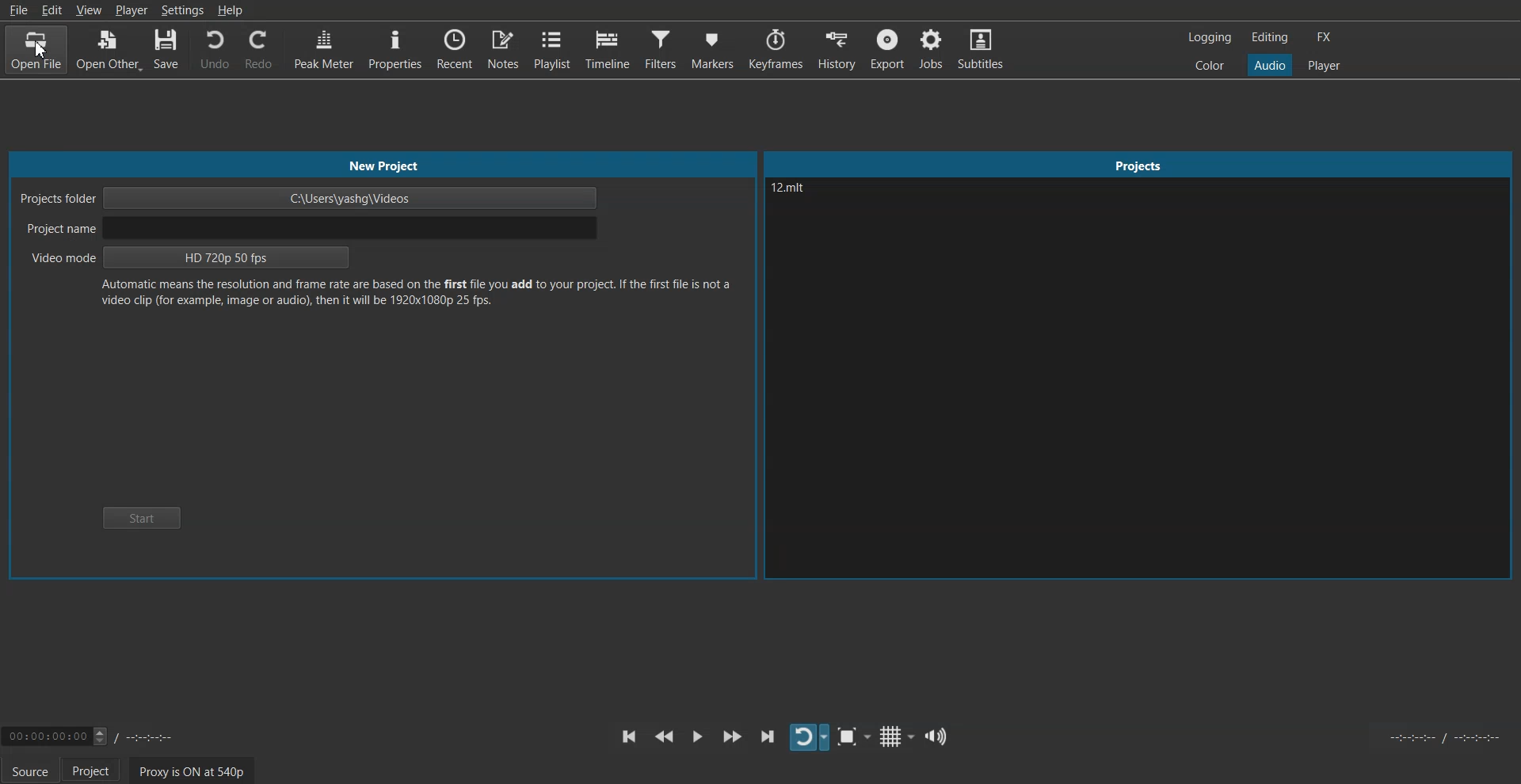 This screenshot has height=784, width=1521. Describe the element at coordinates (1209, 36) in the screenshot. I see `Logging` at that location.